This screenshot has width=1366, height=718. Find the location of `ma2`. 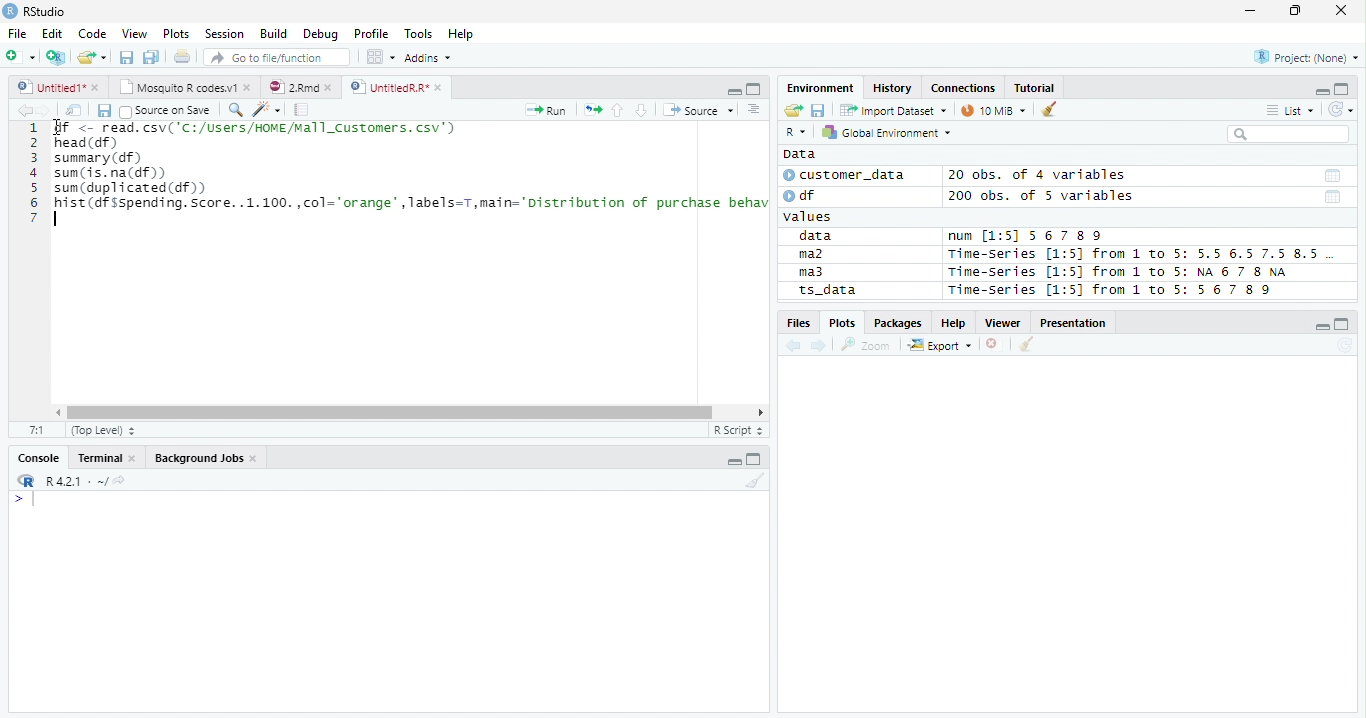

ma2 is located at coordinates (816, 256).